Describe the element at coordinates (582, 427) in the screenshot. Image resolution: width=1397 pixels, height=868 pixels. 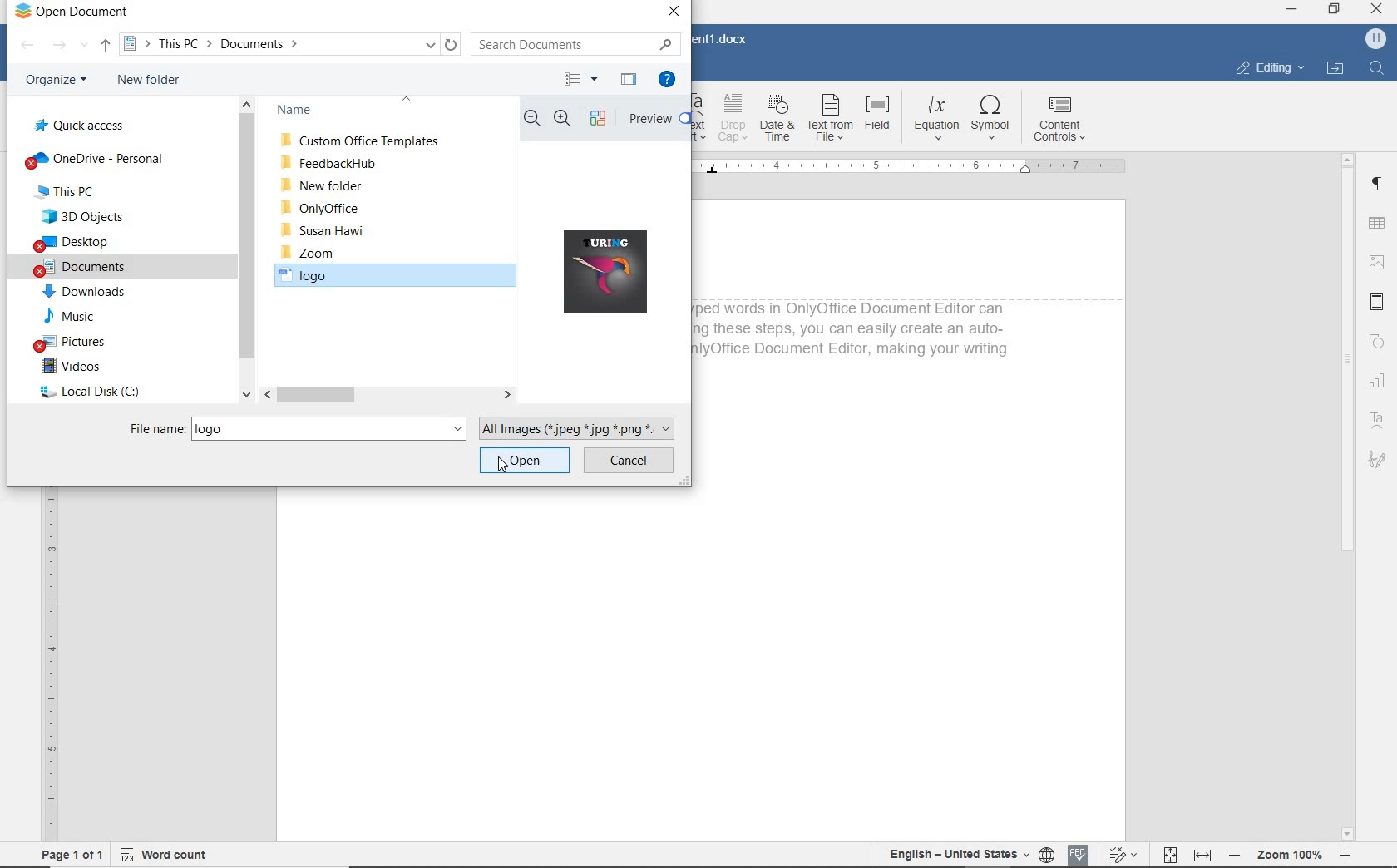
I see `ALL IMAGES (JPEG, JPG, PNG)` at that location.